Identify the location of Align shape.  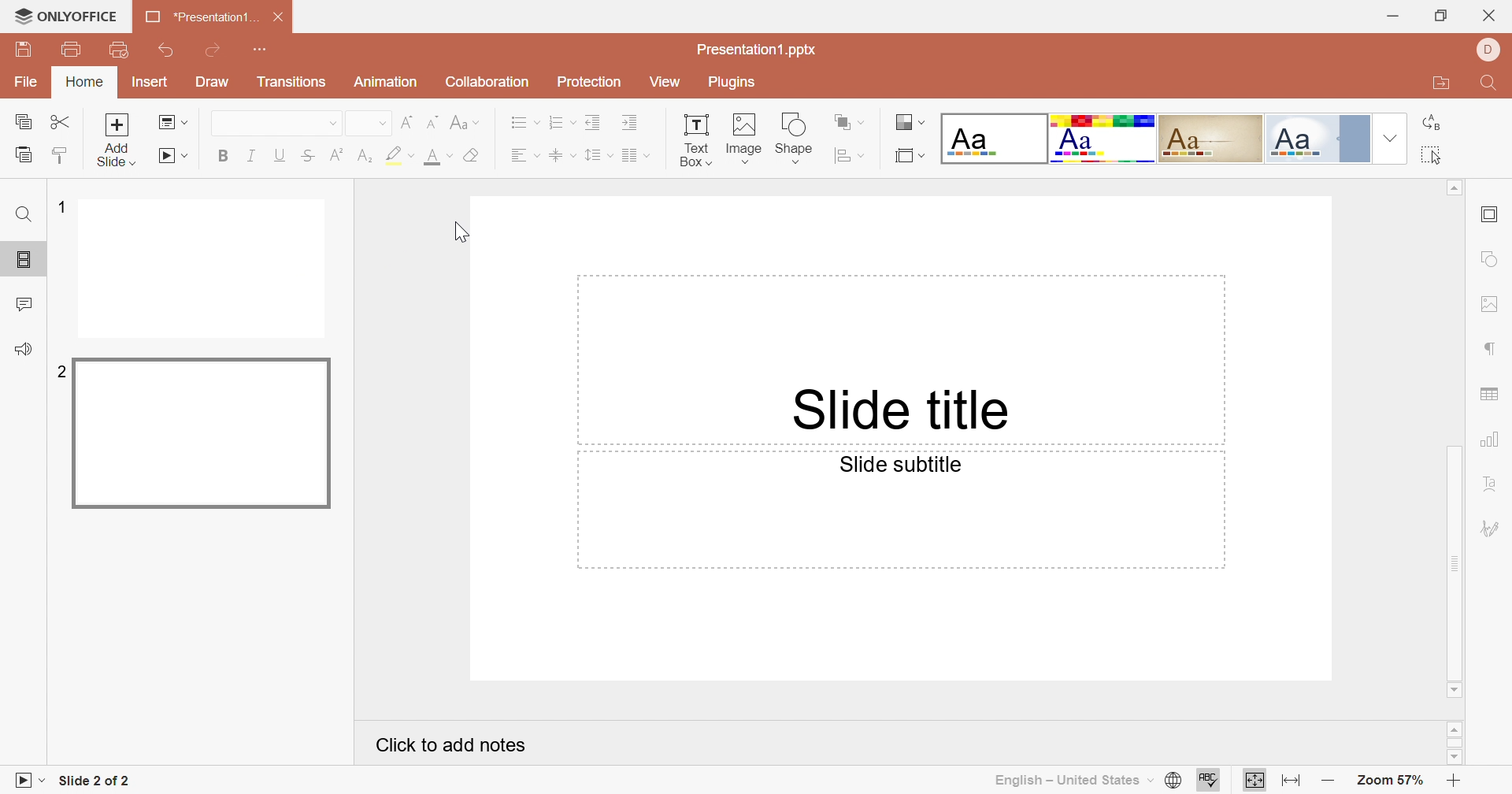
(850, 154).